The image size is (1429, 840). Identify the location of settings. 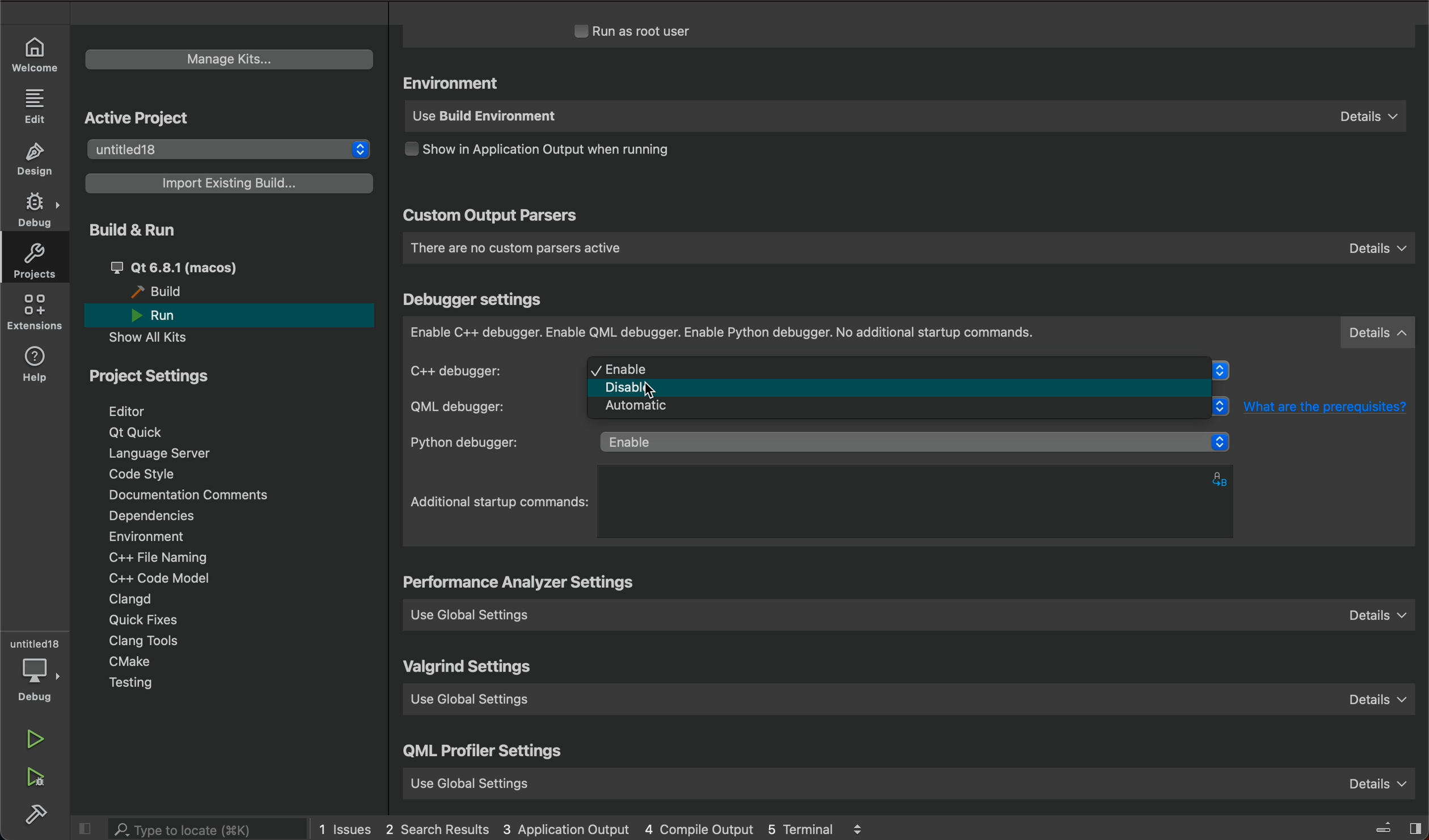
(523, 584).